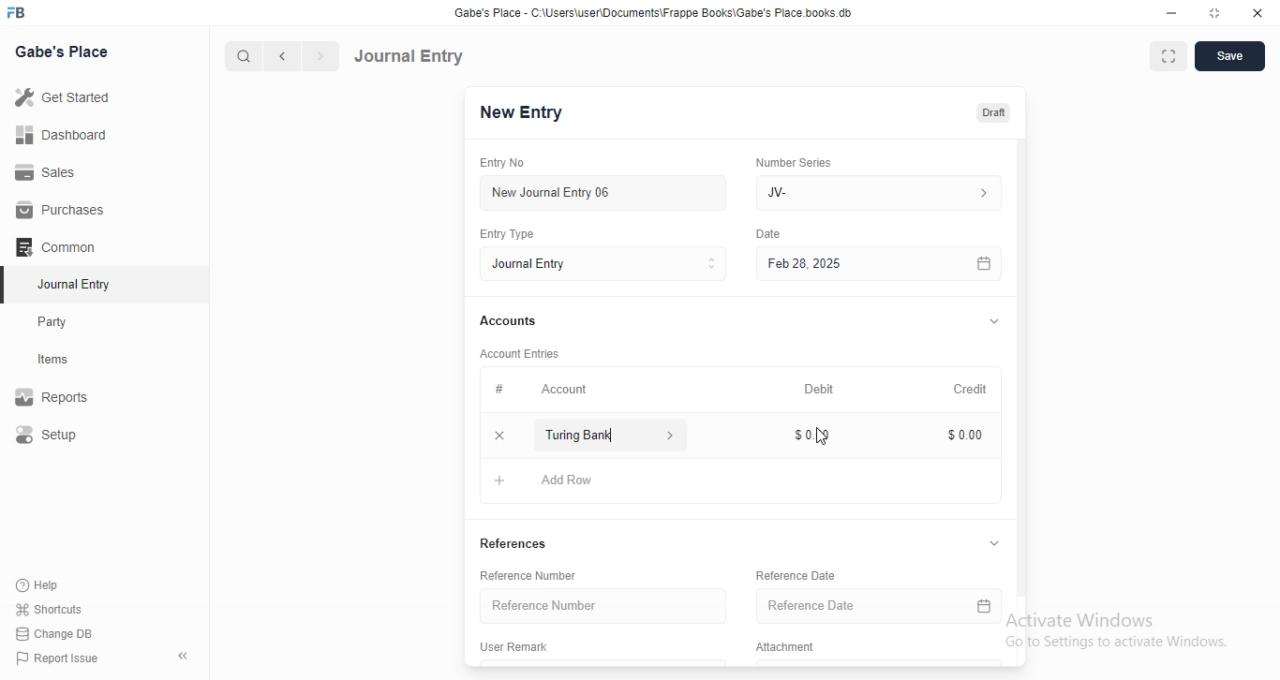 This screenshot has height=680, width=1280. I want to click on ) Report Issue, so click(59, 659).